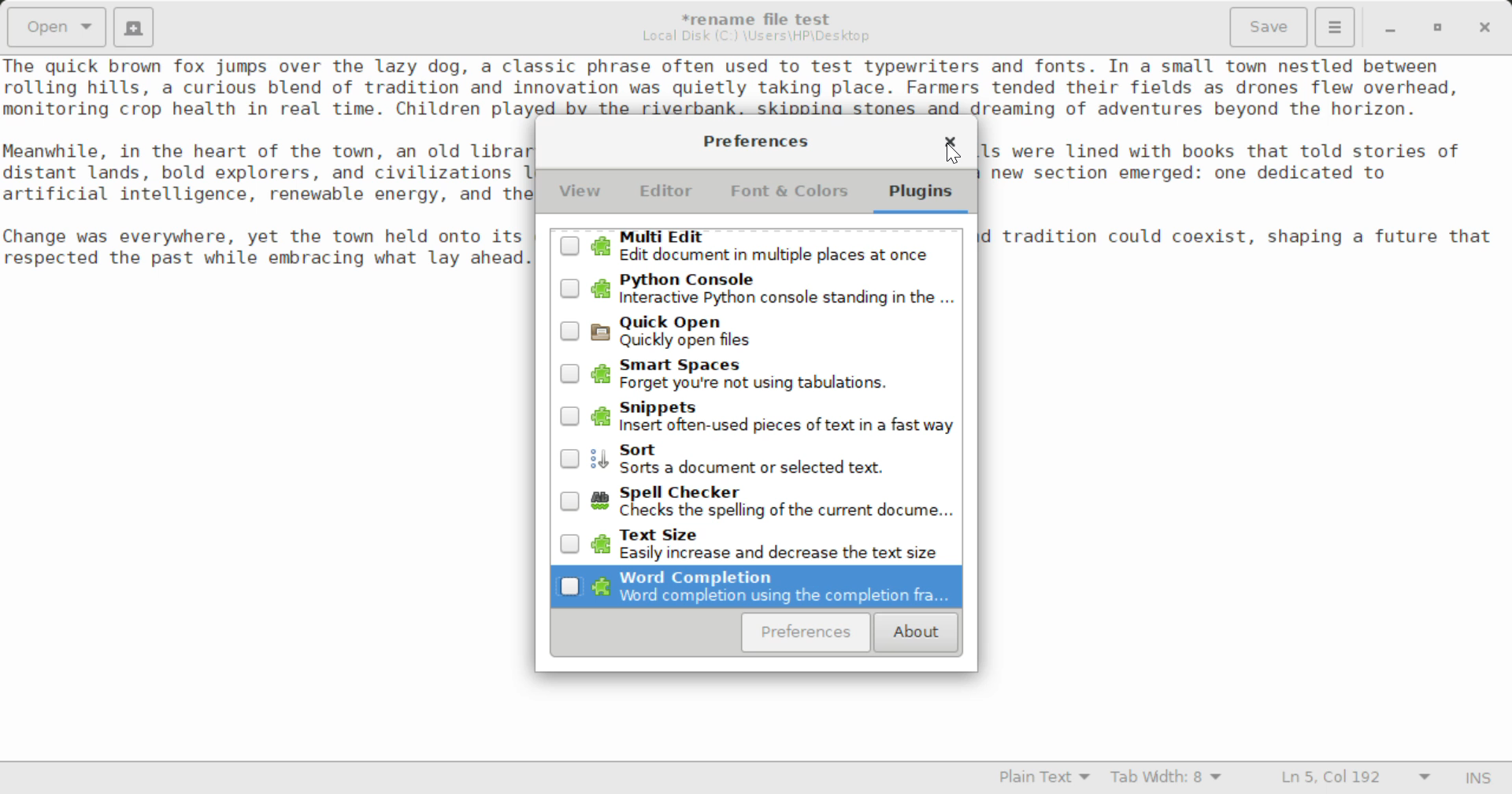 This screenshot has width=1512, height=794. What do you see at coordinates (756, 544) in the screenshot?
I see `Down Arrow to Text Size Plugin Button Unselected` at bounding box center [756, 544].